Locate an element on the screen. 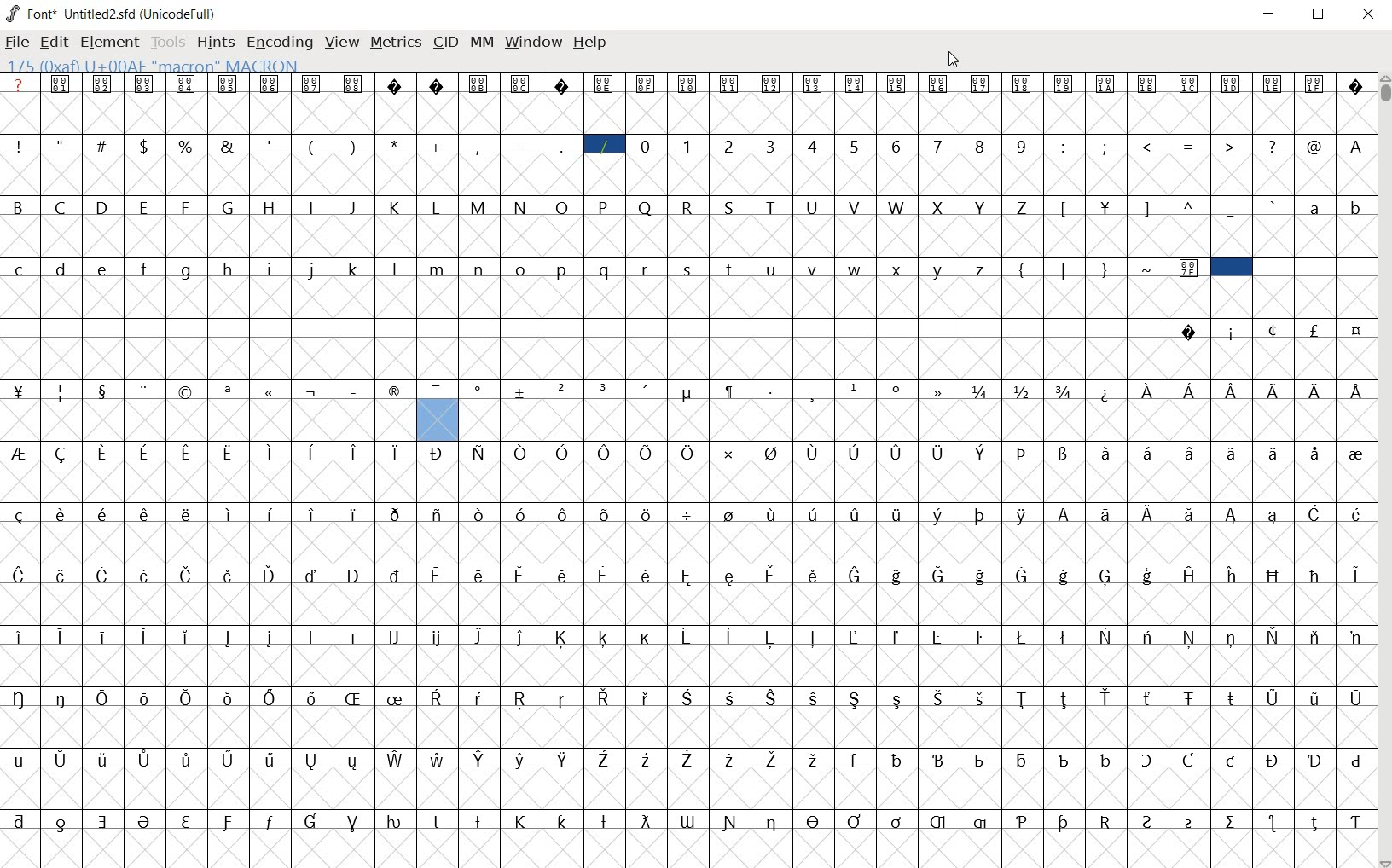 The height and width of the screenshot is (868, 1392). Symbol is located at coordinates (146, 820).